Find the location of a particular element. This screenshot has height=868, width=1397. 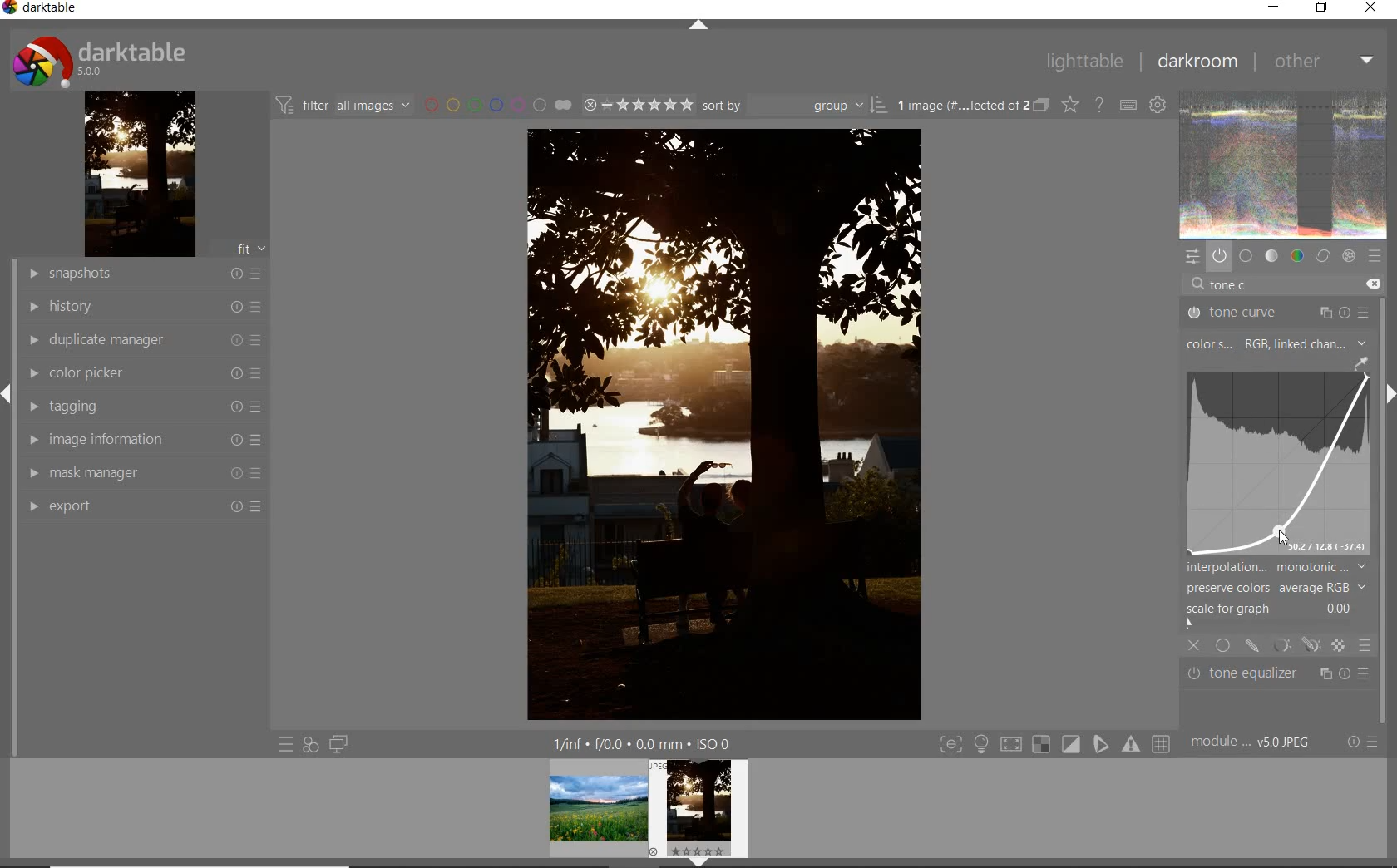

close is located at coordinates (1196, 648).